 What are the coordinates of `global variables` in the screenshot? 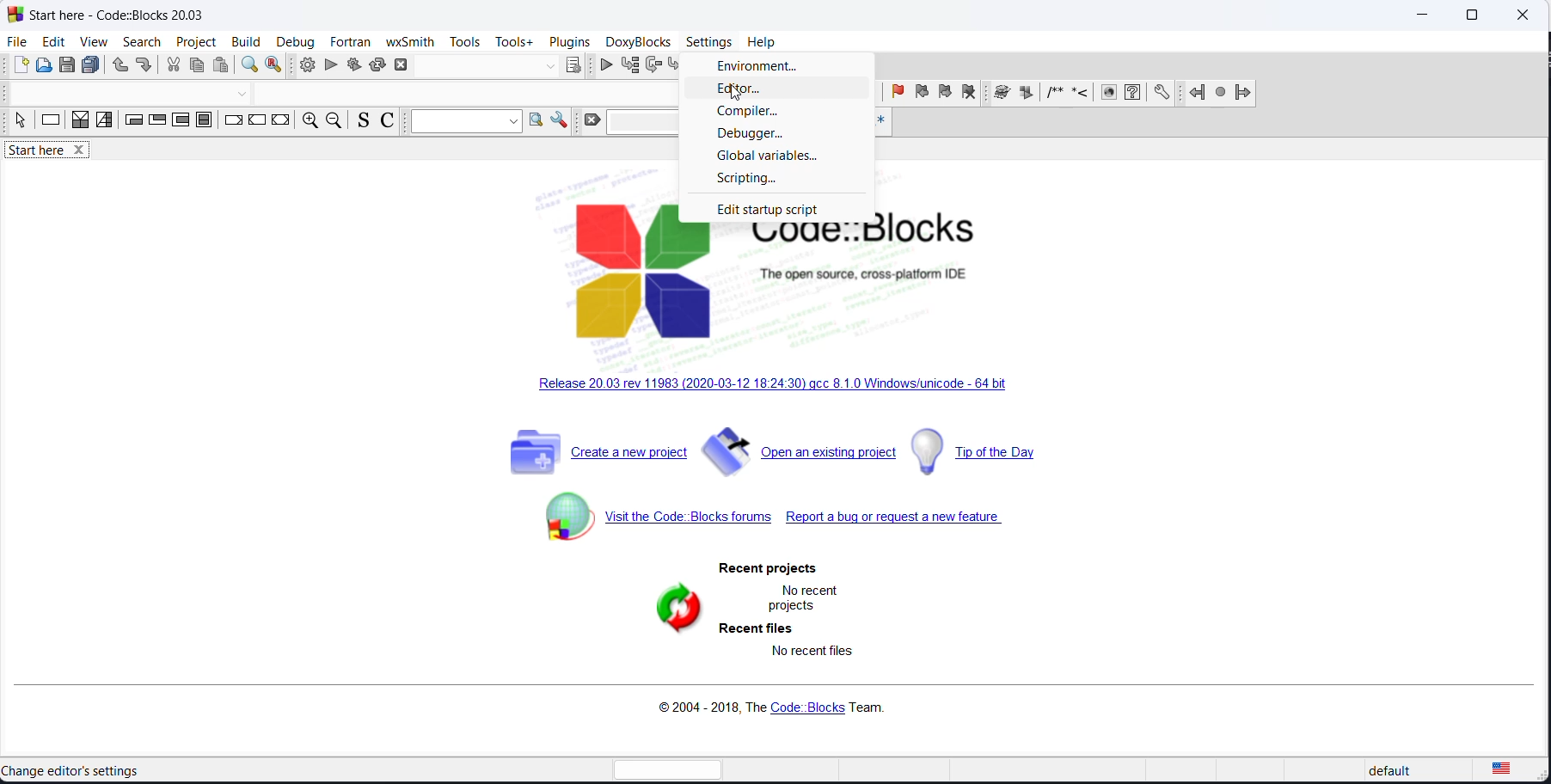 It's located at (779, 158).